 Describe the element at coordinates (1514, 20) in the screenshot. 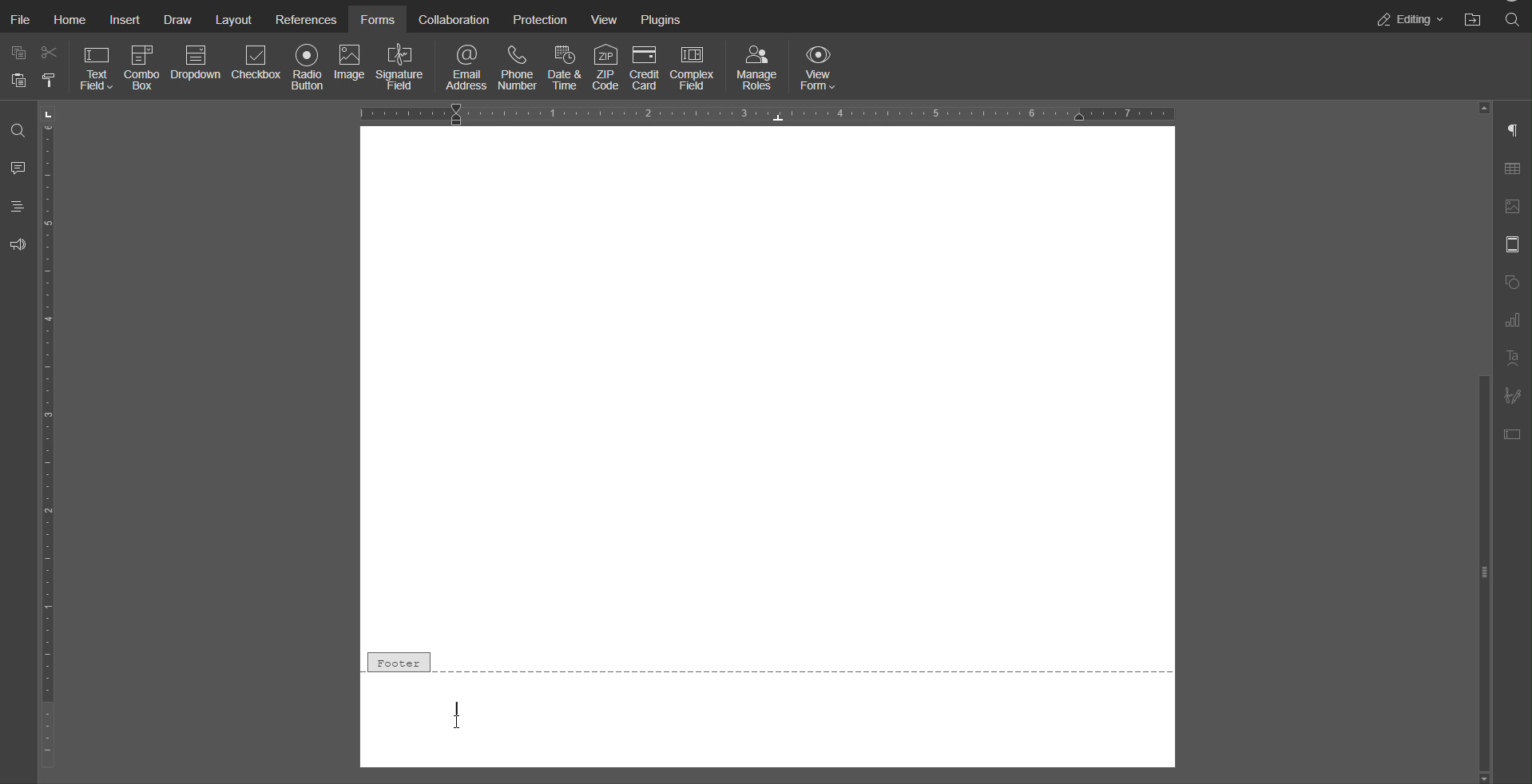

I see `Search` at that location.